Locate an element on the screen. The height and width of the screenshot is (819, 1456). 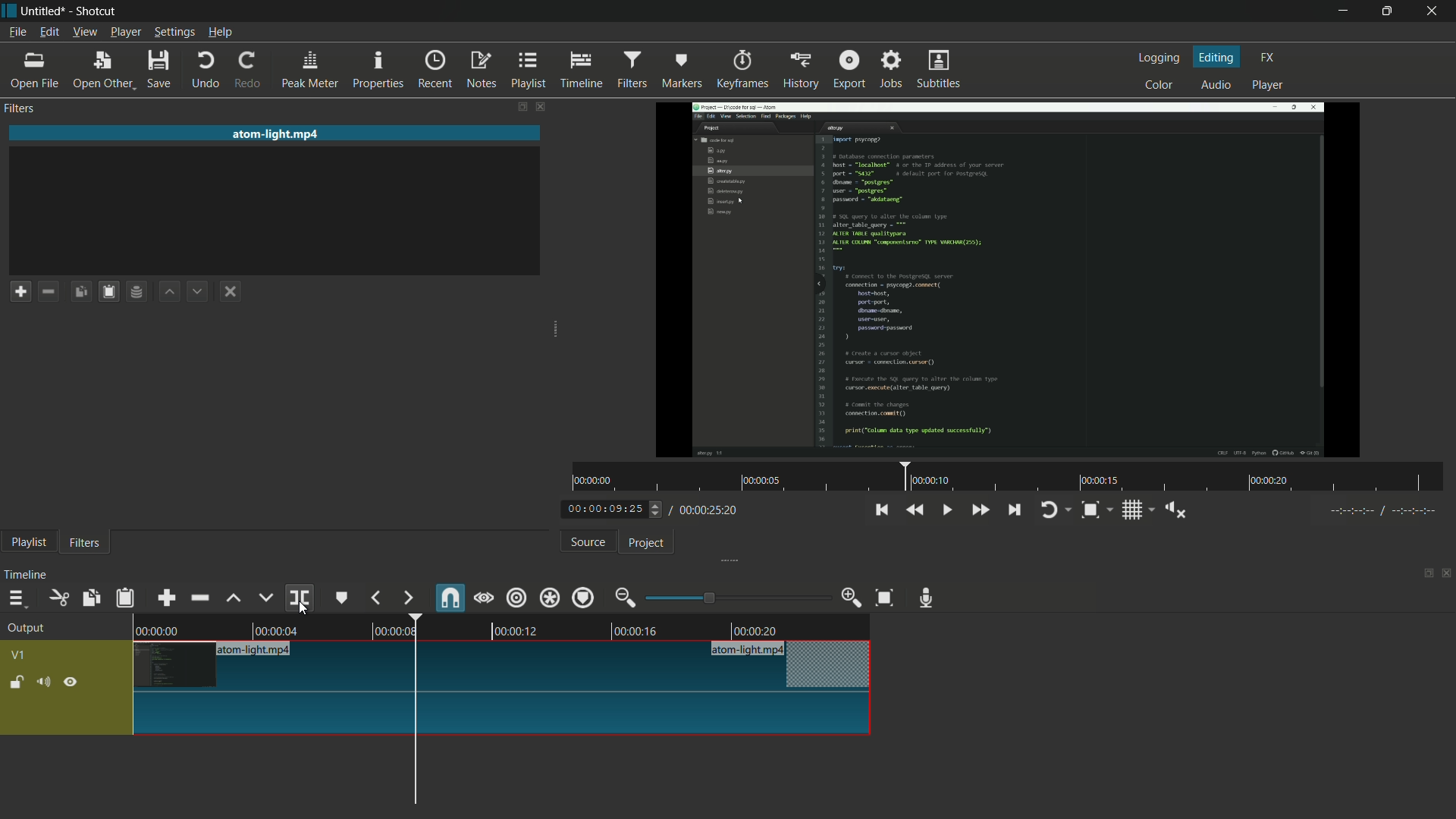
total time is located at coordinates (707, 510).